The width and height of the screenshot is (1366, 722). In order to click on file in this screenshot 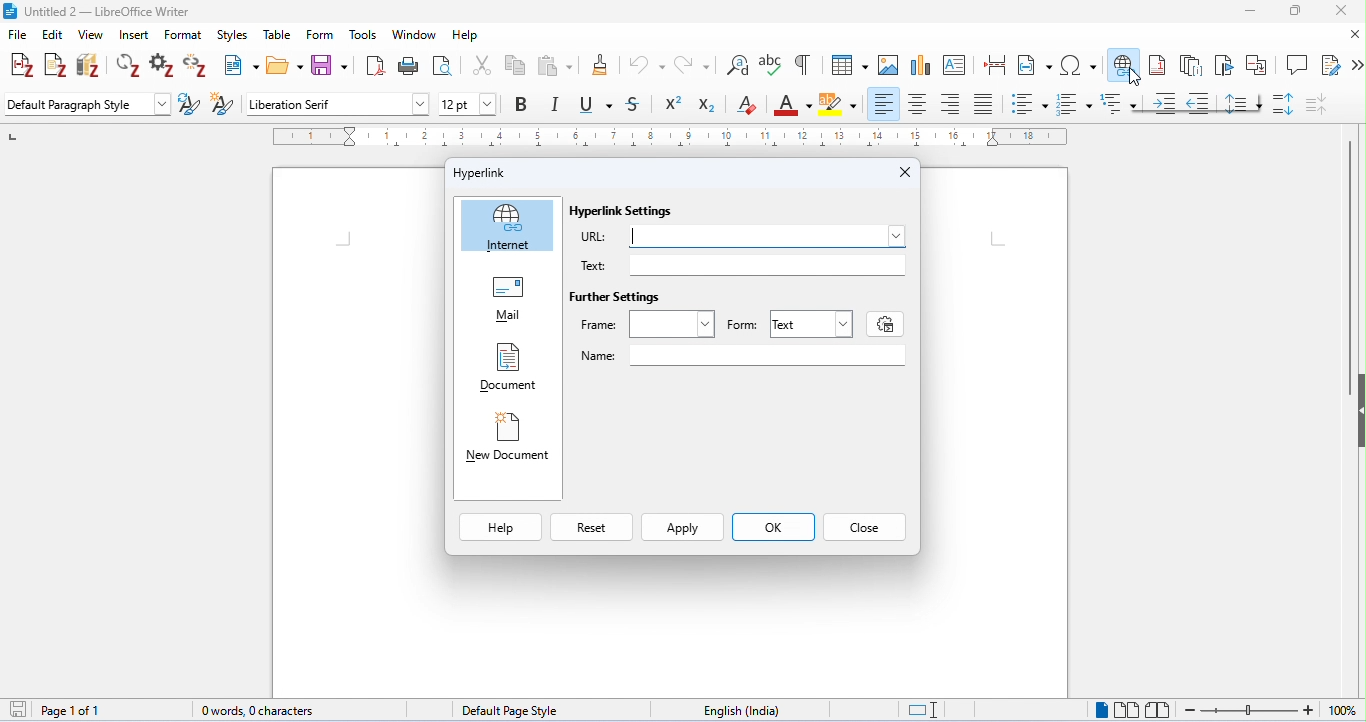, I will do `click(19, 35)`.